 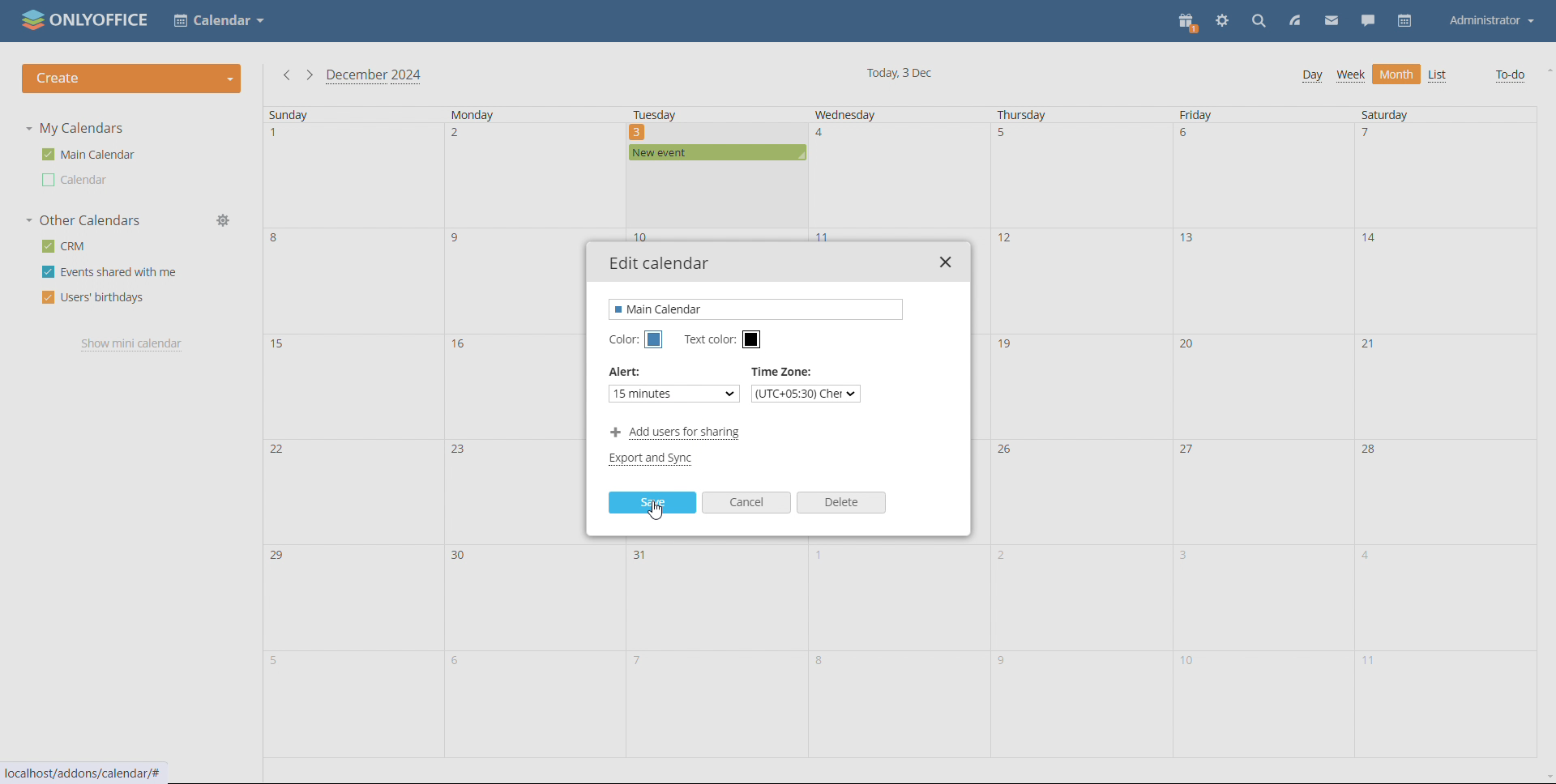 What do you see at coordinates (1190, 22) in the screenshot?
I see `present` at bounding box center [1190, 22].